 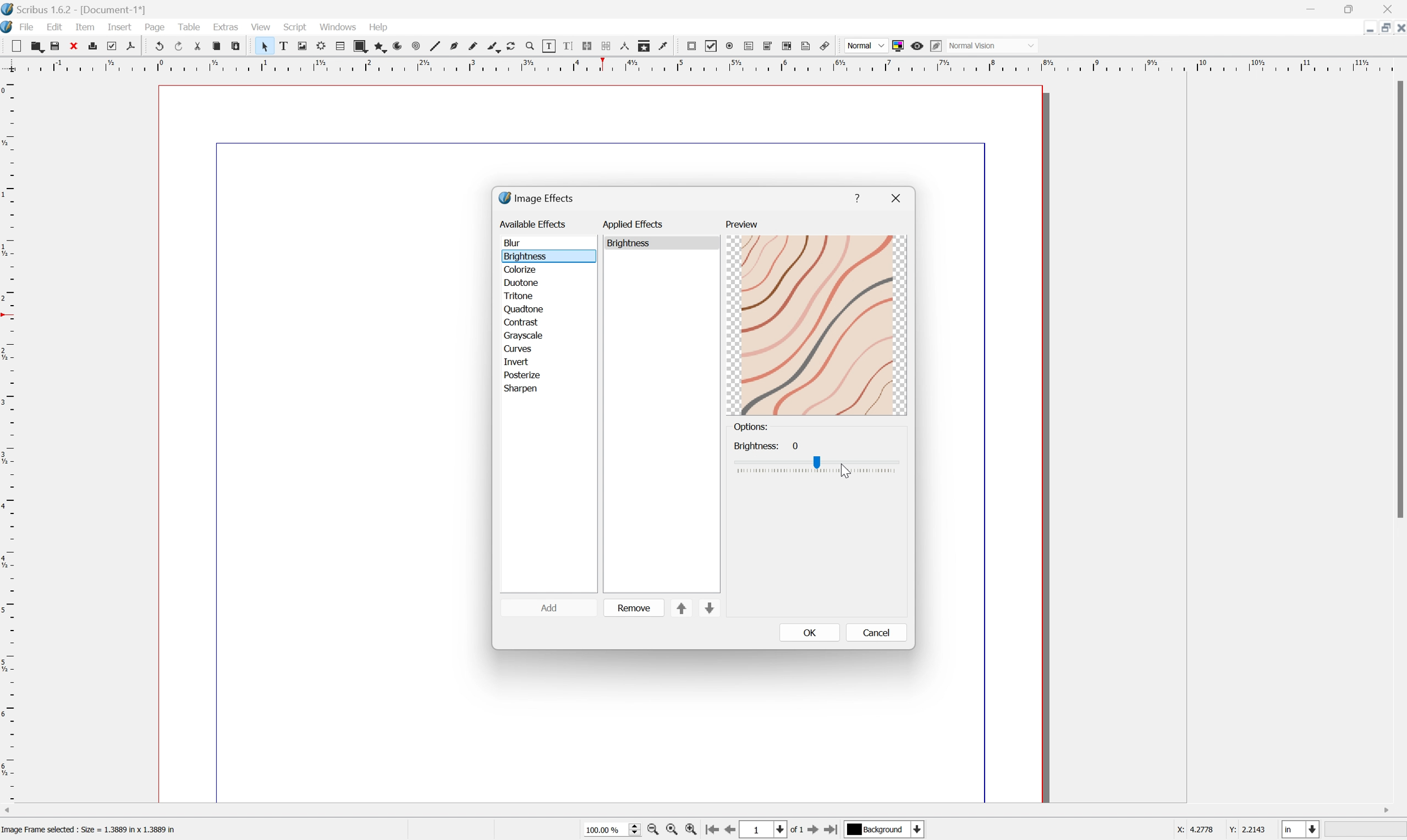 What do you see at coordinates (674, 830) in the screenshot?
I see `Zoom to 100%` at bounding box center [674, 830].